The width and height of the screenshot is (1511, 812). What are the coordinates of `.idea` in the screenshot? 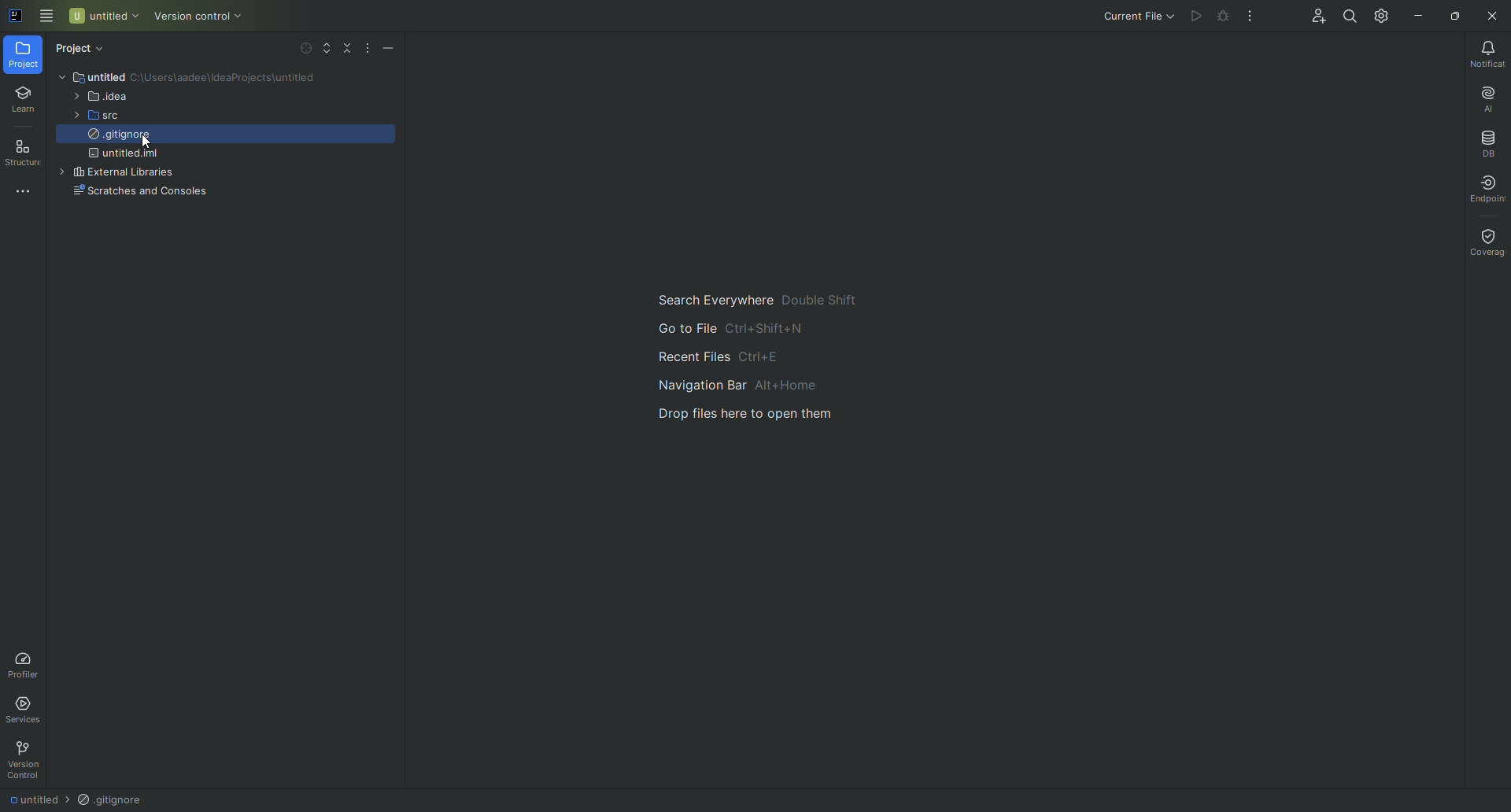 It's located at (105, 97).